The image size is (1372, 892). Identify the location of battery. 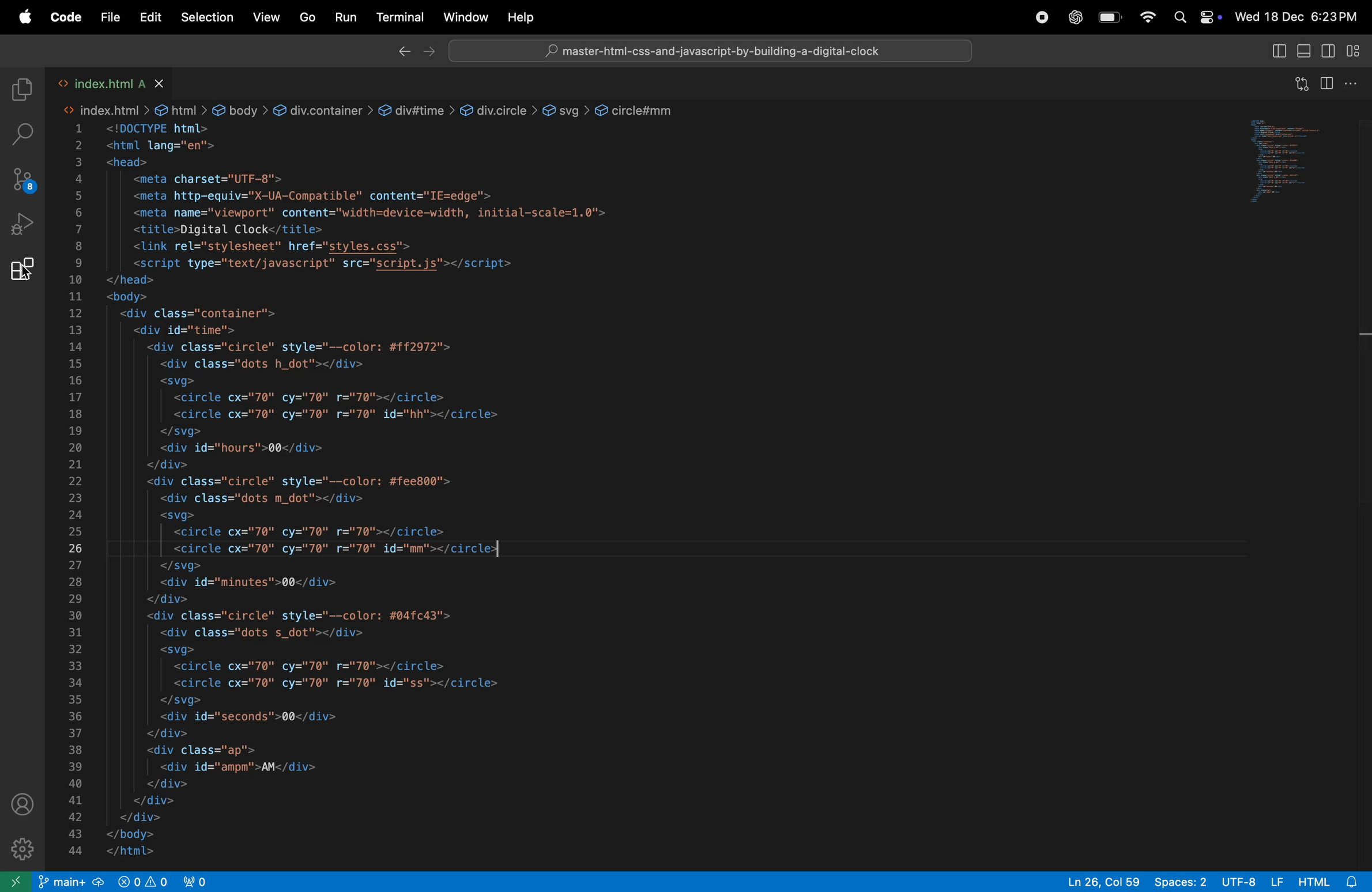
(1110, 19).